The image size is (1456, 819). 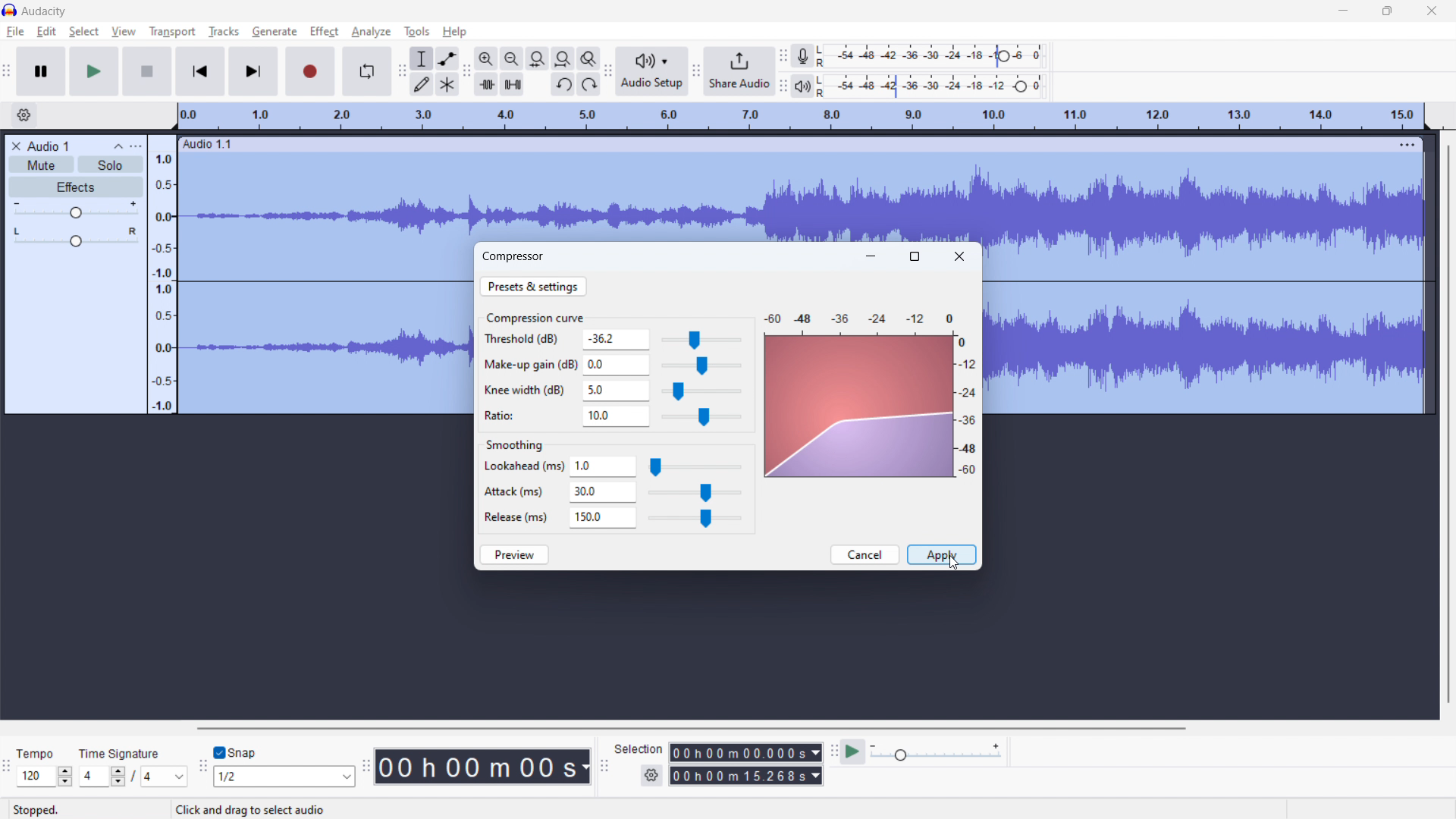 What do you see at coordinates (514, 256) in the screenshot?
I see `compressor` at bounding box center [514, 256].